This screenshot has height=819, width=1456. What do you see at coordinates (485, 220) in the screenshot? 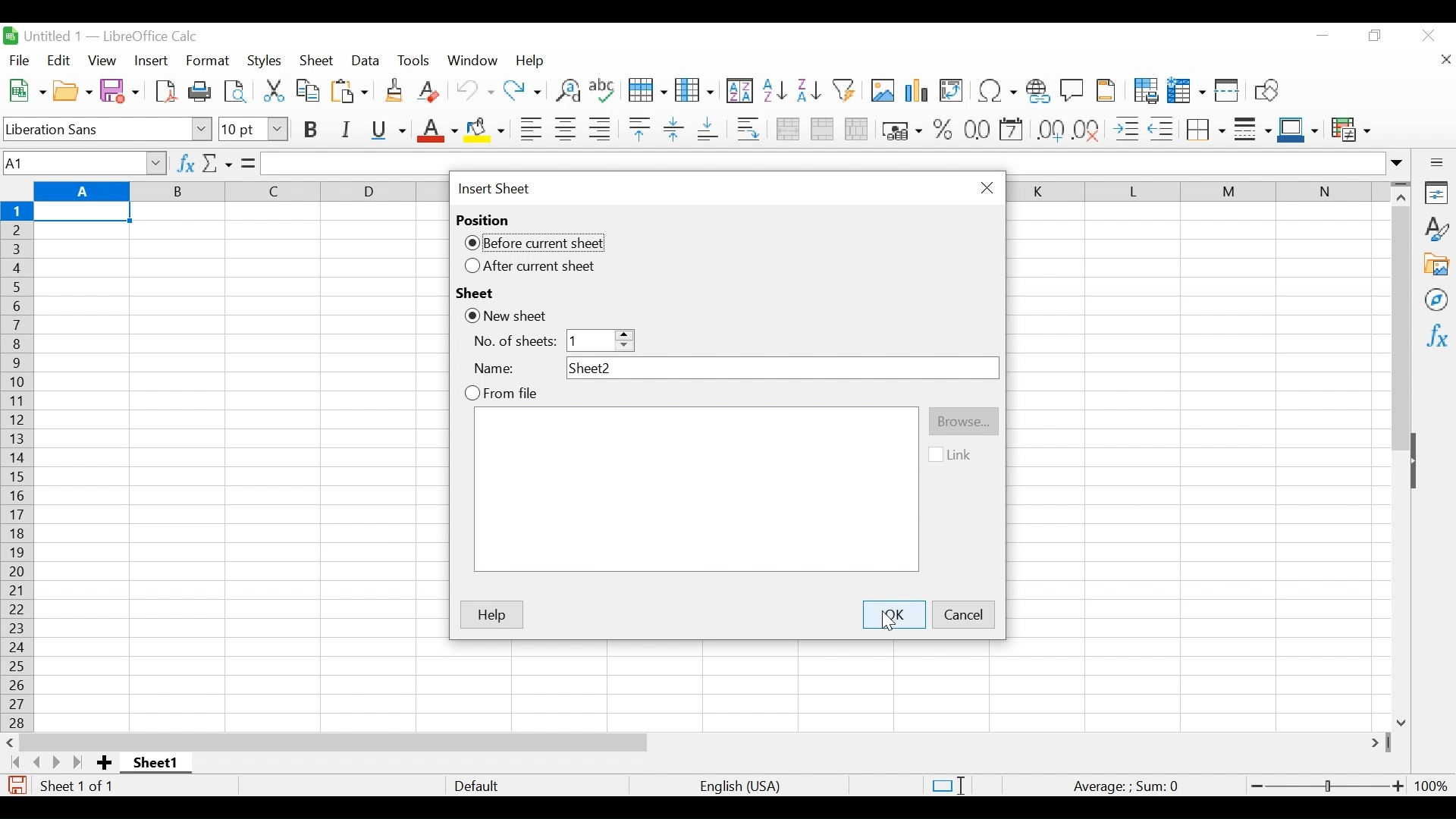
I see `Position` at bounding box center [485, 220].